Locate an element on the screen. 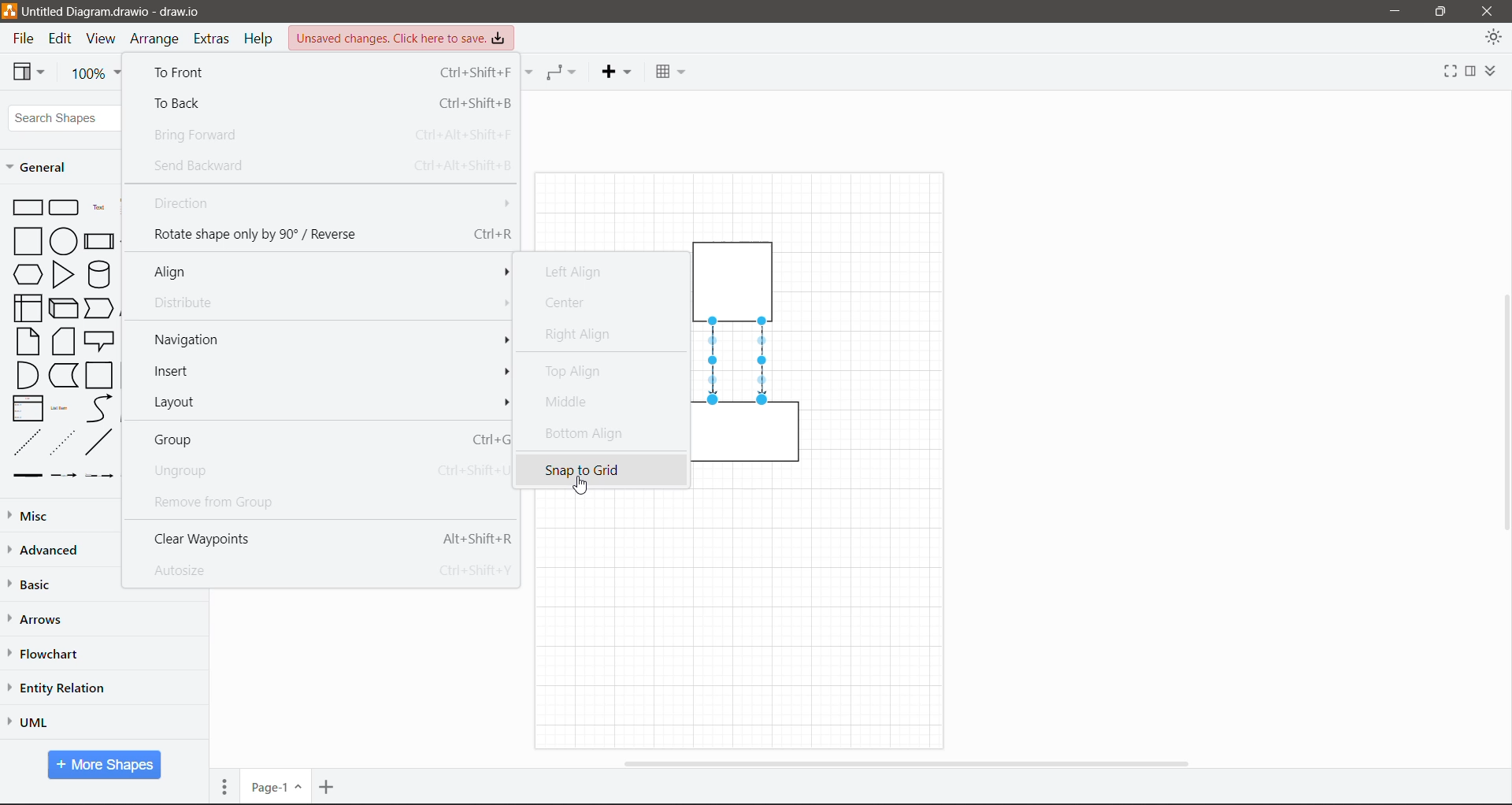 This screenshot has width=1512, height=805. dotted line is located at coordinates (62, 442).